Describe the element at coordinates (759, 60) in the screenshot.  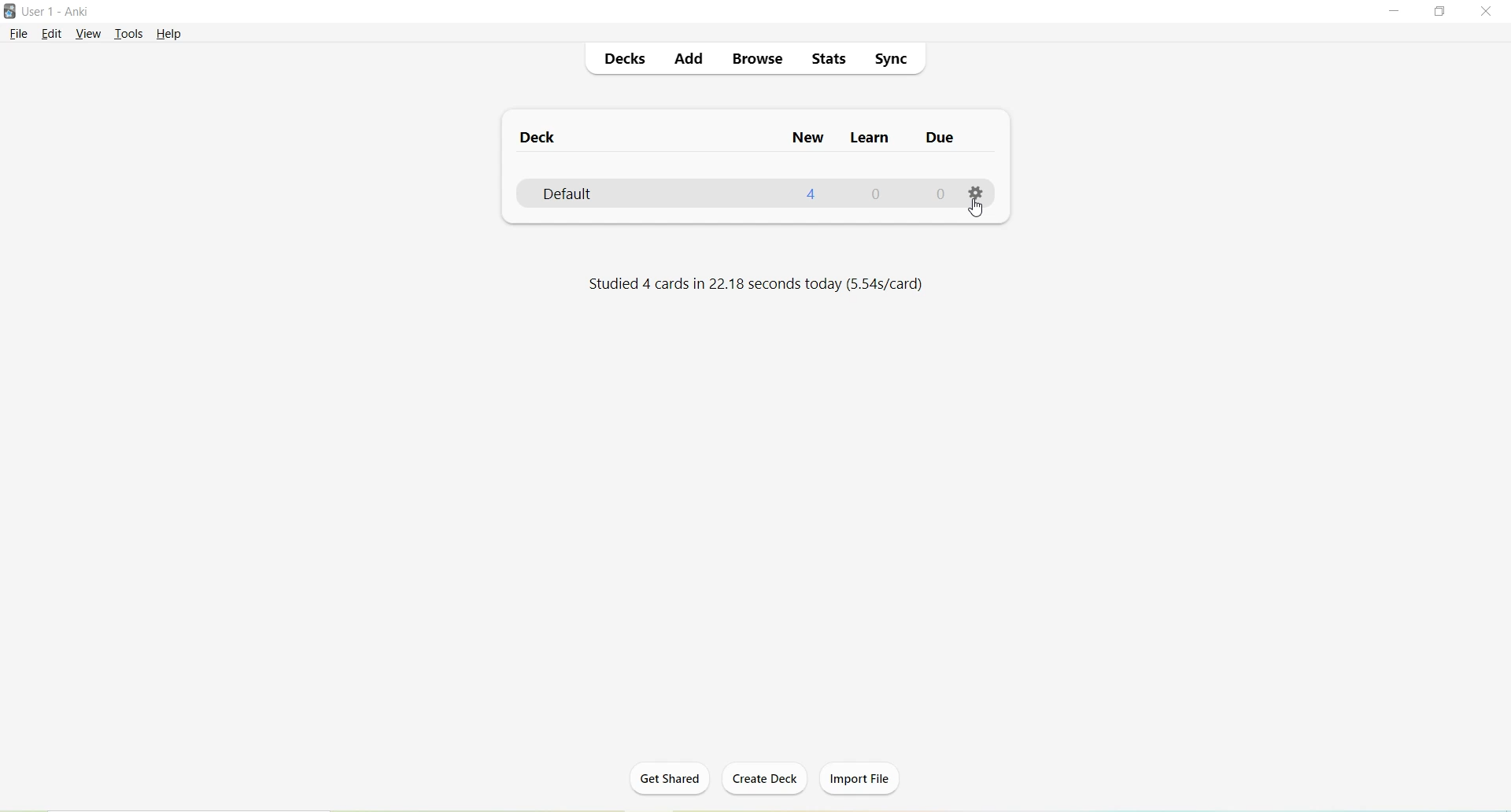
I see `Browse` at that location.